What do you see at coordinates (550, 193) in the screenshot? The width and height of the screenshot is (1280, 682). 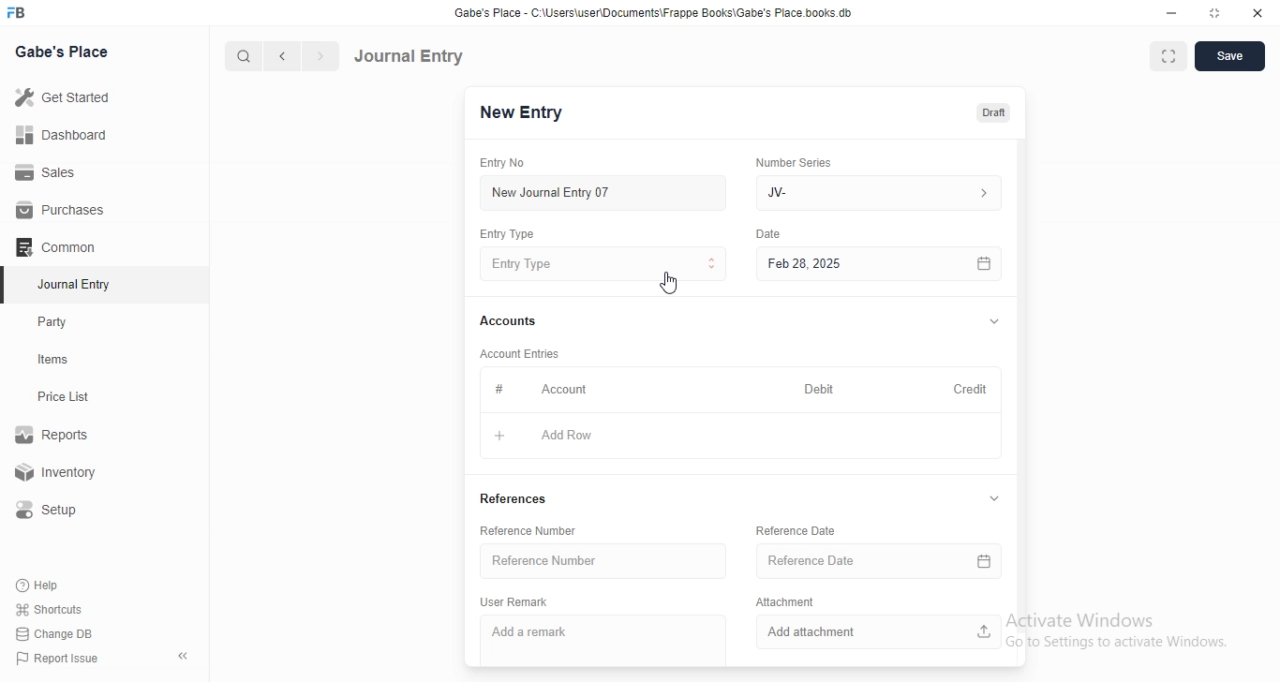 I see `New Journal Entry 07` at bounding box center [550, 193].